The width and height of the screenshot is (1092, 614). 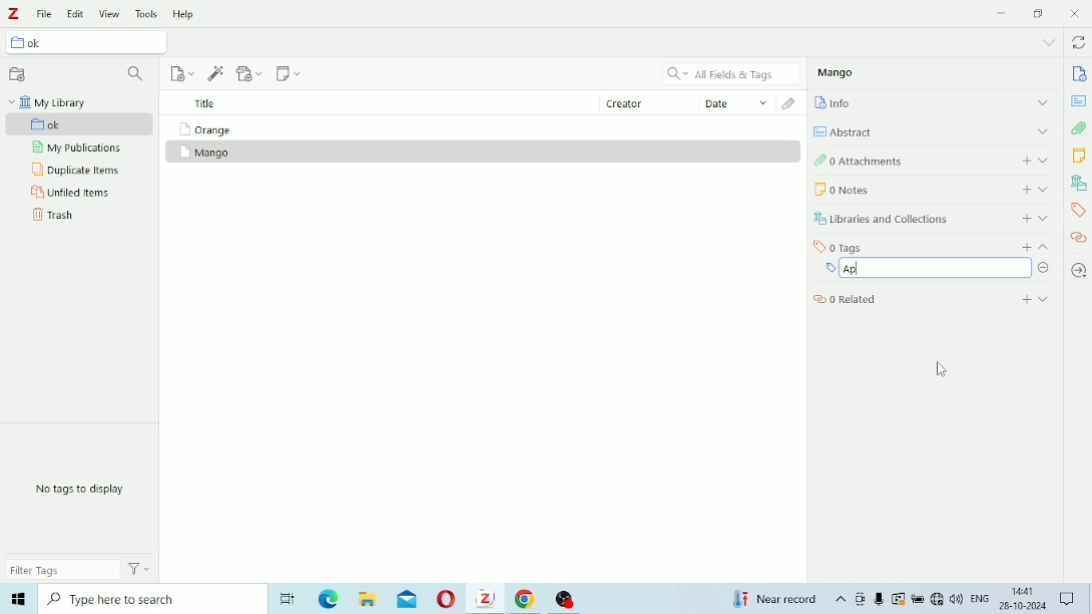 What do you see at coordinates (207, 104) in the screenshot?
I see `Title` at bounding box center [207, 104].